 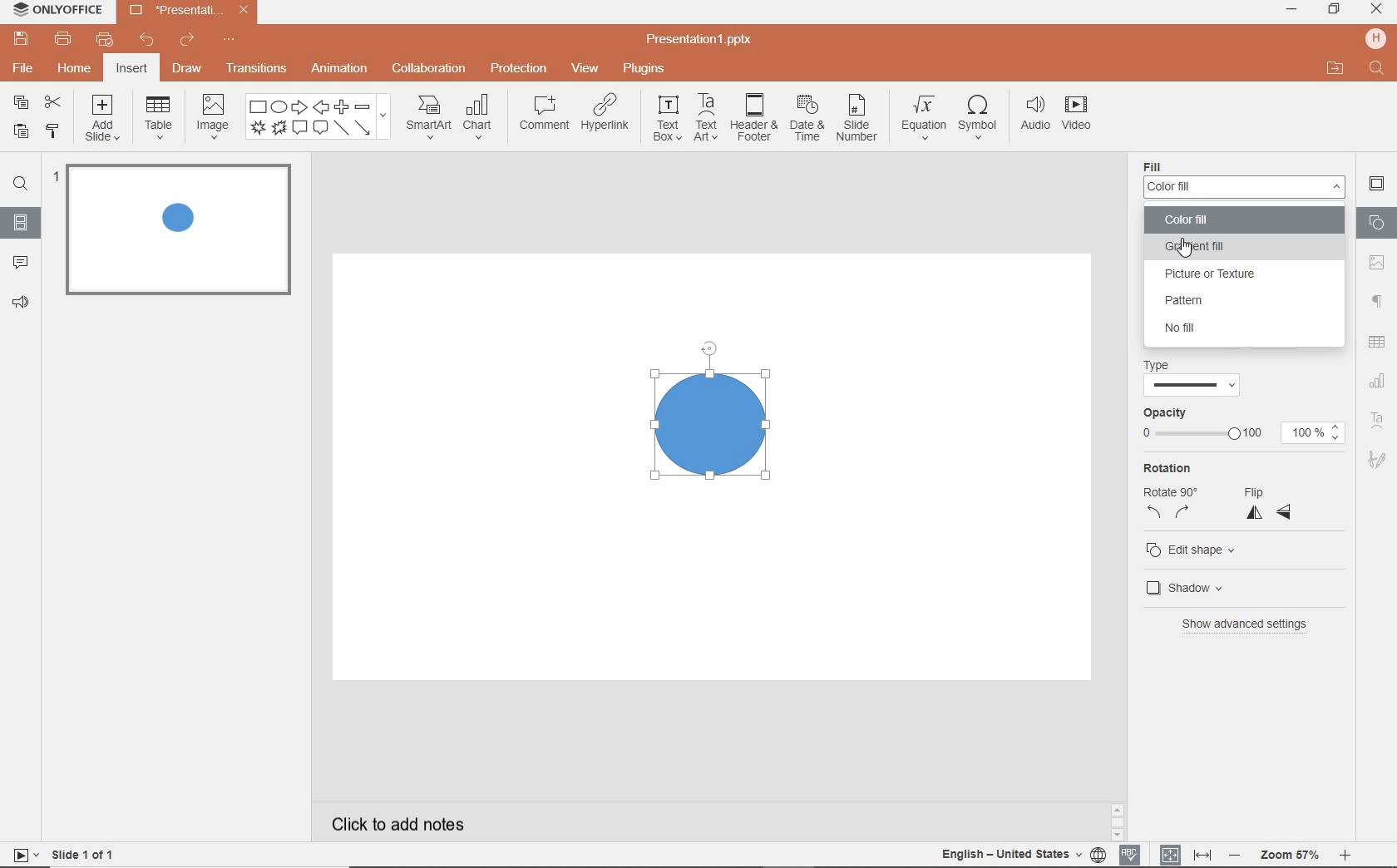 What do you see at coordinates (1187, 251) in the screenshot?
I see `mouse pointer` at bounding box center [1187, 251].